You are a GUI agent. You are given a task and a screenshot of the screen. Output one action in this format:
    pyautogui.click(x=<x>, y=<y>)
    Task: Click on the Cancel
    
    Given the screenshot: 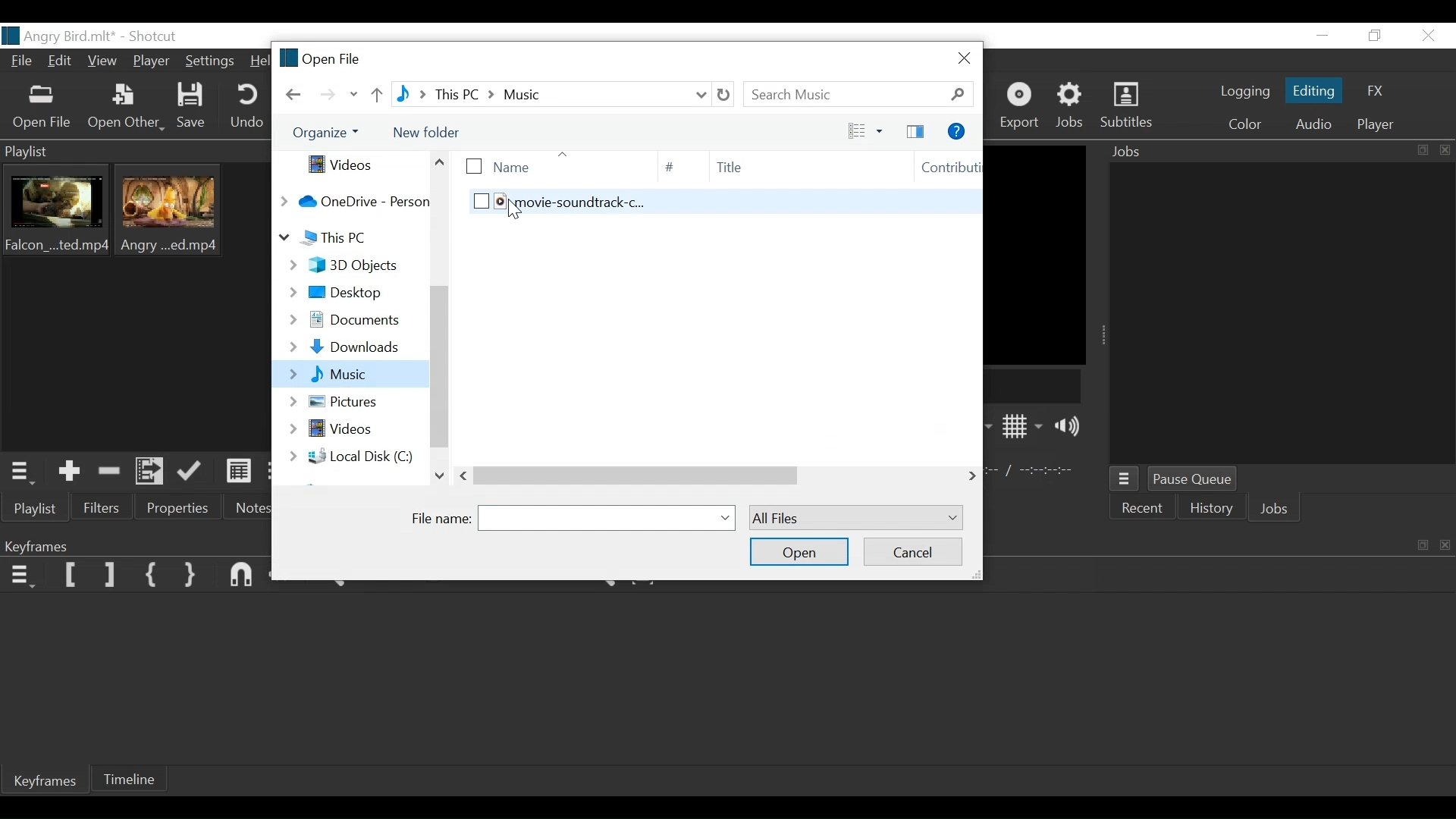 What is the action you would take?
    pyautogui.click(x=913, y=551)
    